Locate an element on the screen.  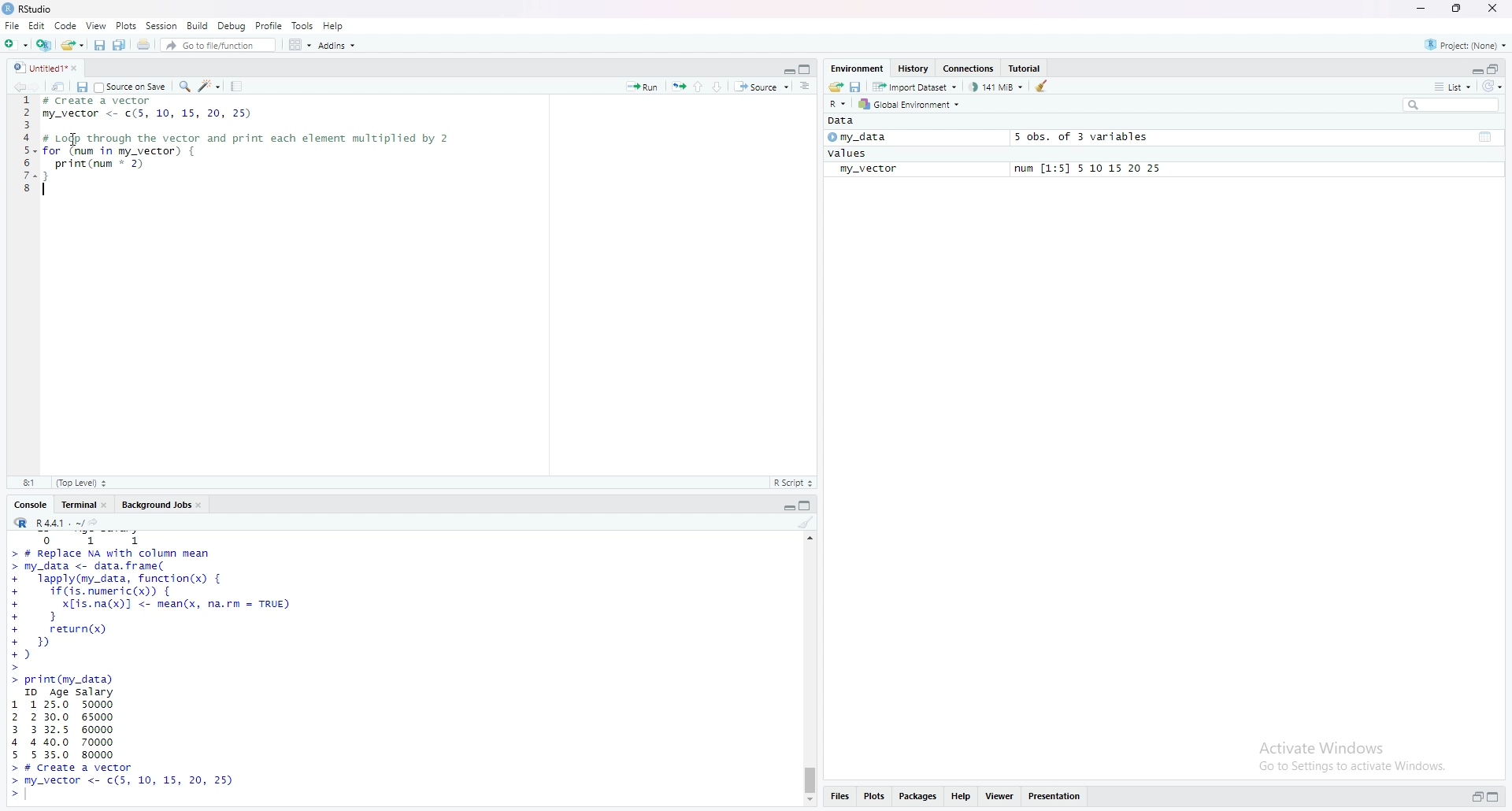
R.4.4.1 is located at coordinates (45, 522).